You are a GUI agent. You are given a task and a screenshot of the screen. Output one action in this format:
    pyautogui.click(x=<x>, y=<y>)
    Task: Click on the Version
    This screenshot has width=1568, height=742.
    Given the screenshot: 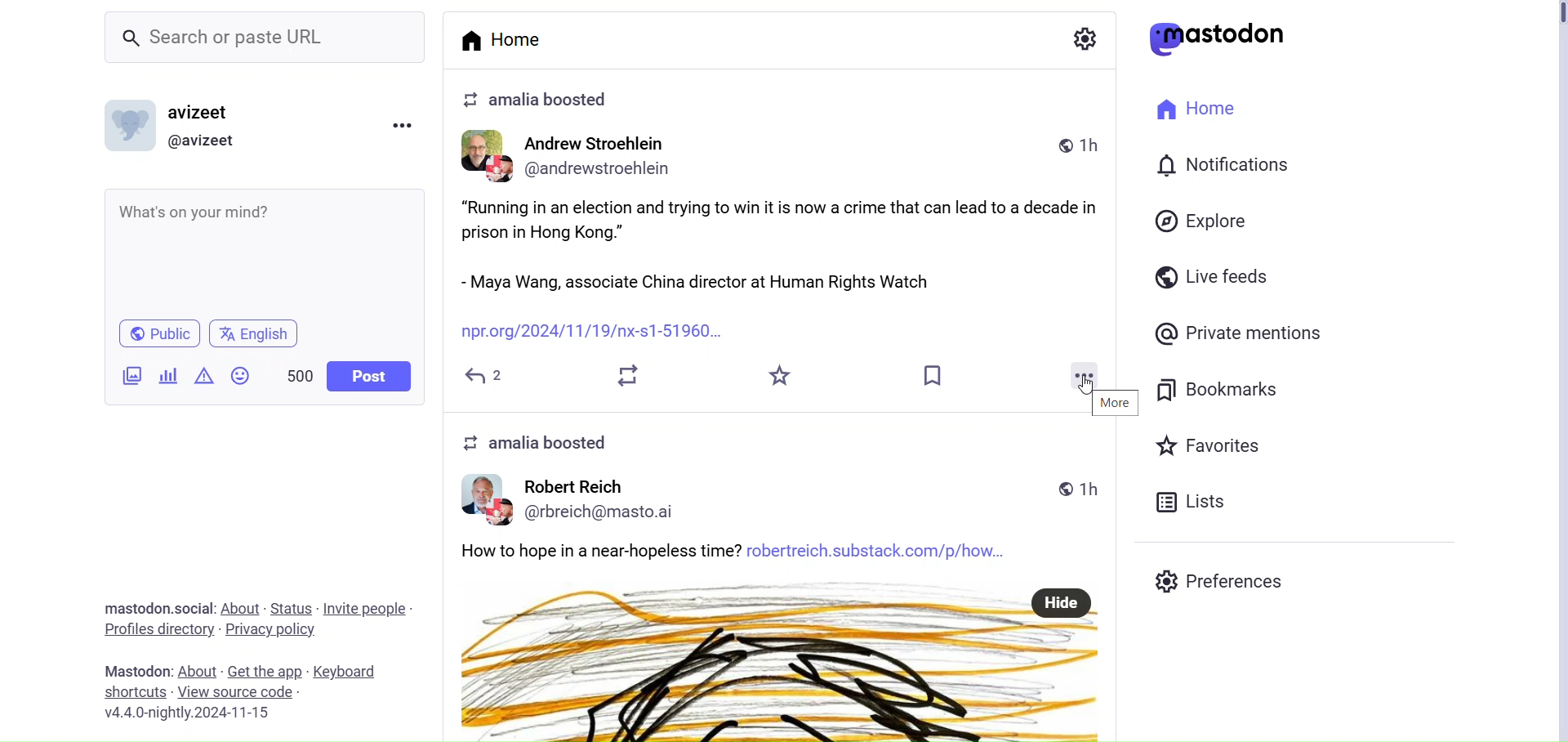 What is the action you would take?
    pyautogui.click(x=196, y=712)
    